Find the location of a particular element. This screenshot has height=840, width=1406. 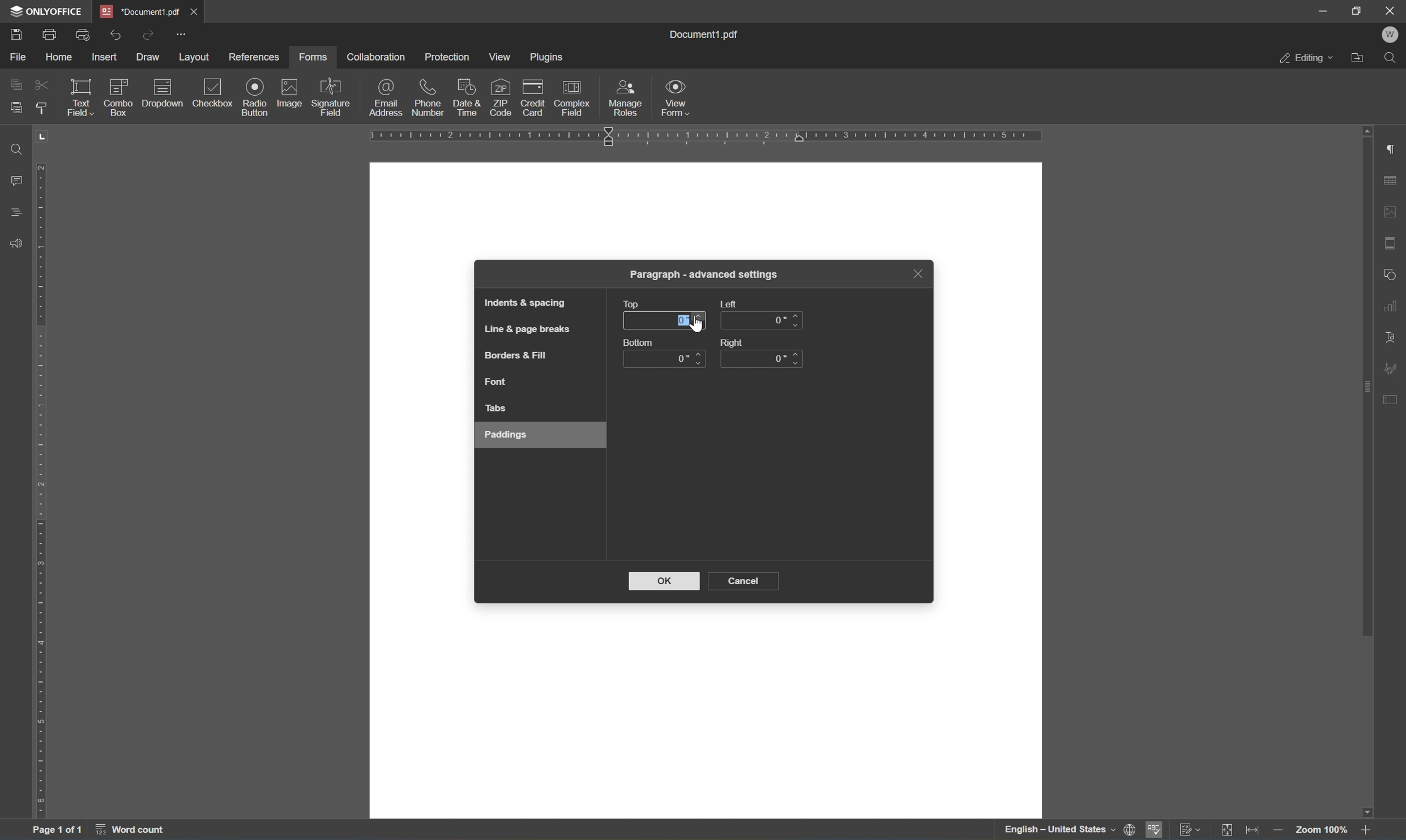

spell checking is located at coordinates (1153, 830).